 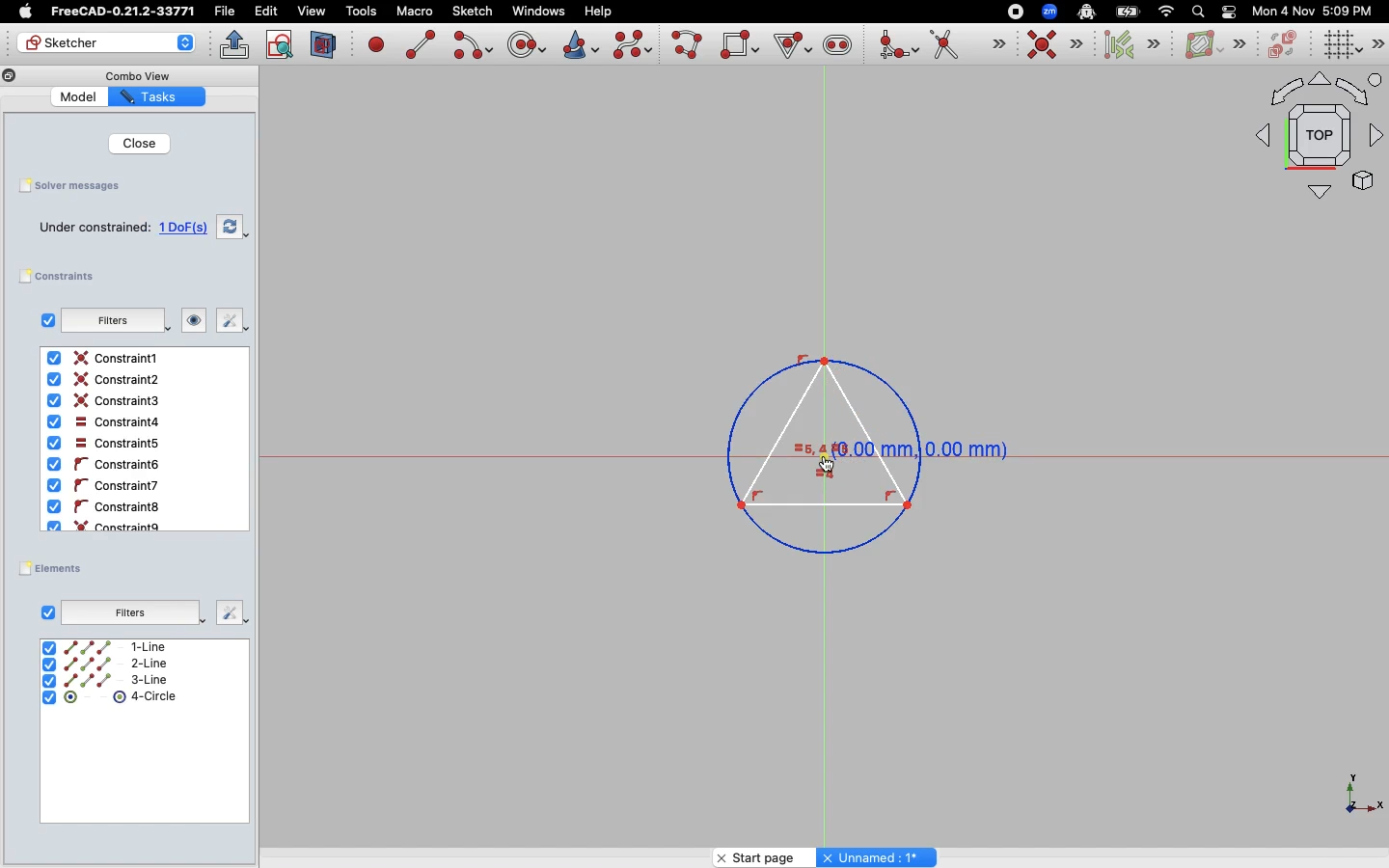 What do you see at coordinates (231, 611) in the screenshot?
I see `Fix` at bounding box center [231, 611].